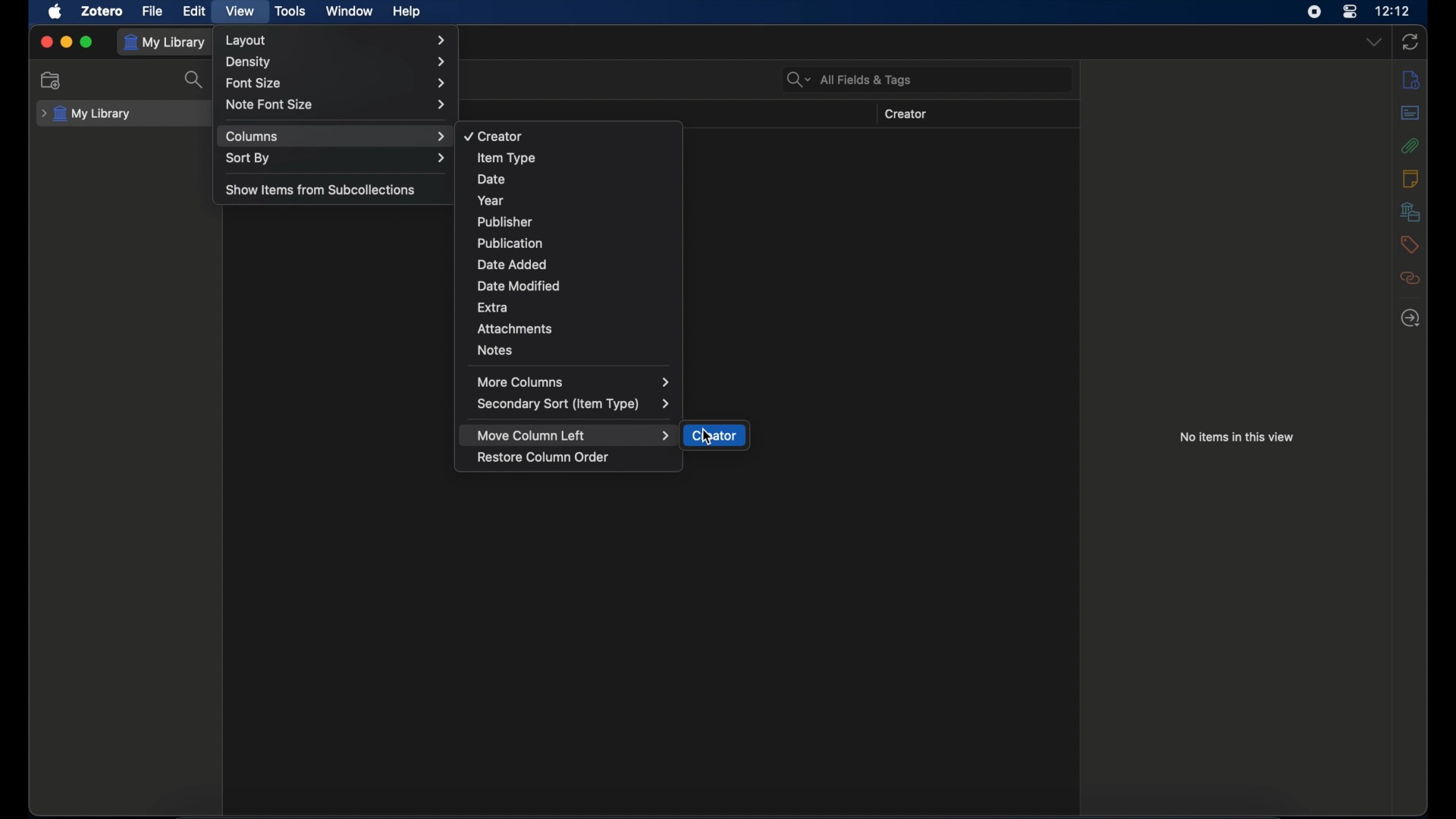  What do you see at coordinates (335, 83) in the screenshot?
I see `font size` at bounding box center [335, 83].